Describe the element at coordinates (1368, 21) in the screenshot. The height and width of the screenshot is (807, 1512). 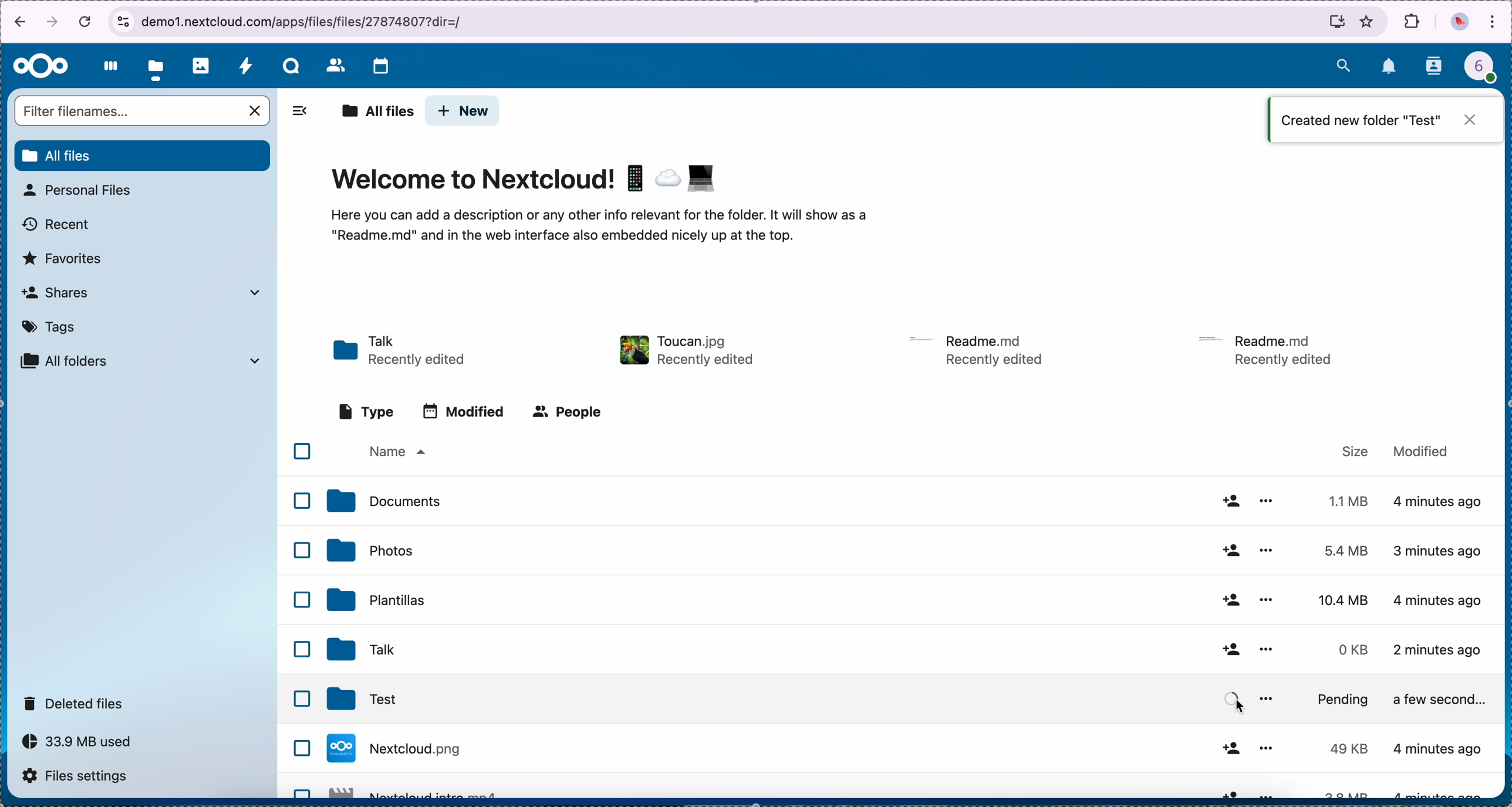
I see `favorites` at that location.